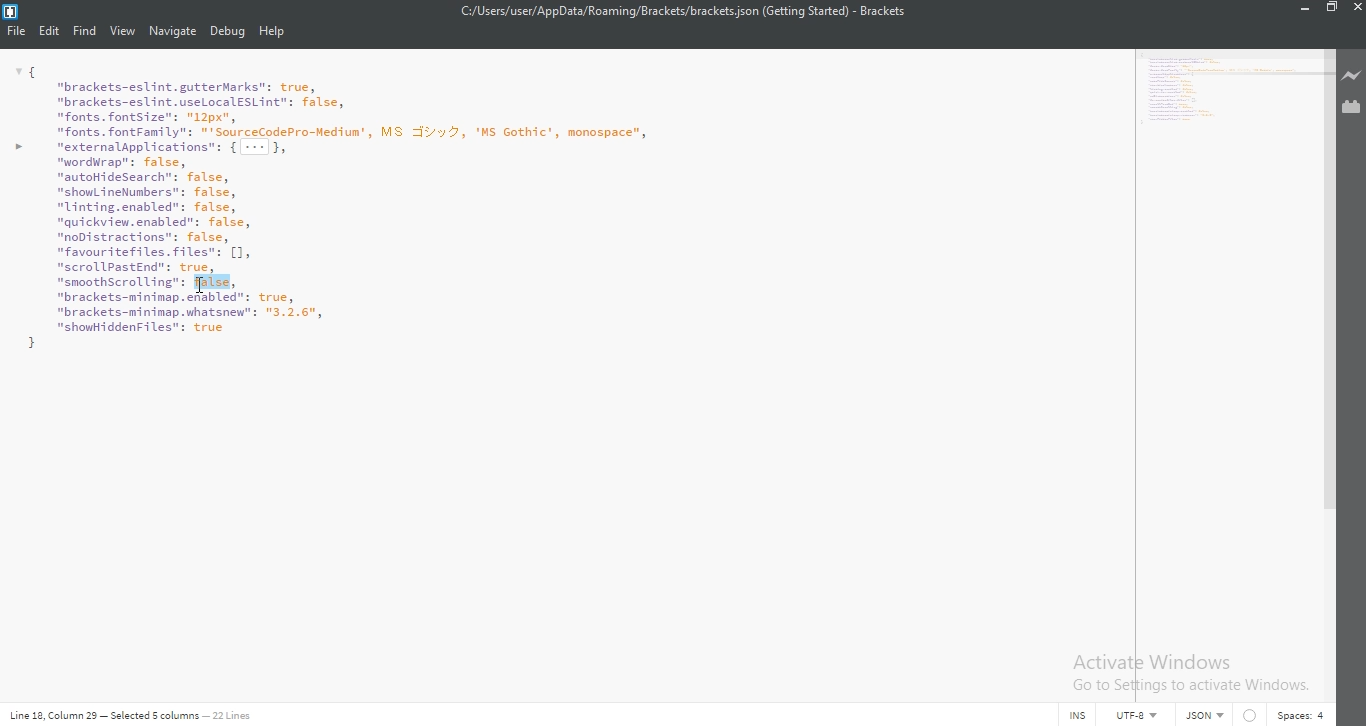 Image resolution: width=1366 pixels, height=726 pixels. What do you see at coordinates (1330, 8) in the screenshot?
I see `Restore` at bounding box center [1330, 8].